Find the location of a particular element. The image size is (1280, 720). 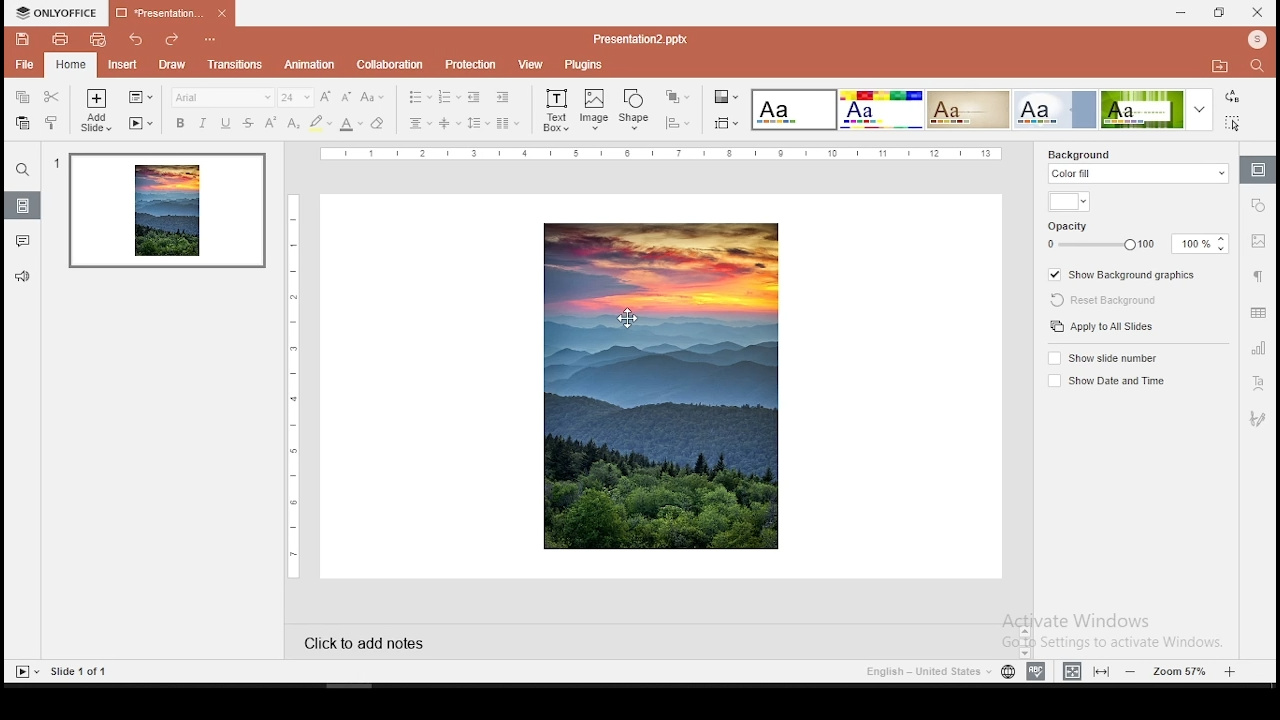

slides is located at coordinates (23, 205).